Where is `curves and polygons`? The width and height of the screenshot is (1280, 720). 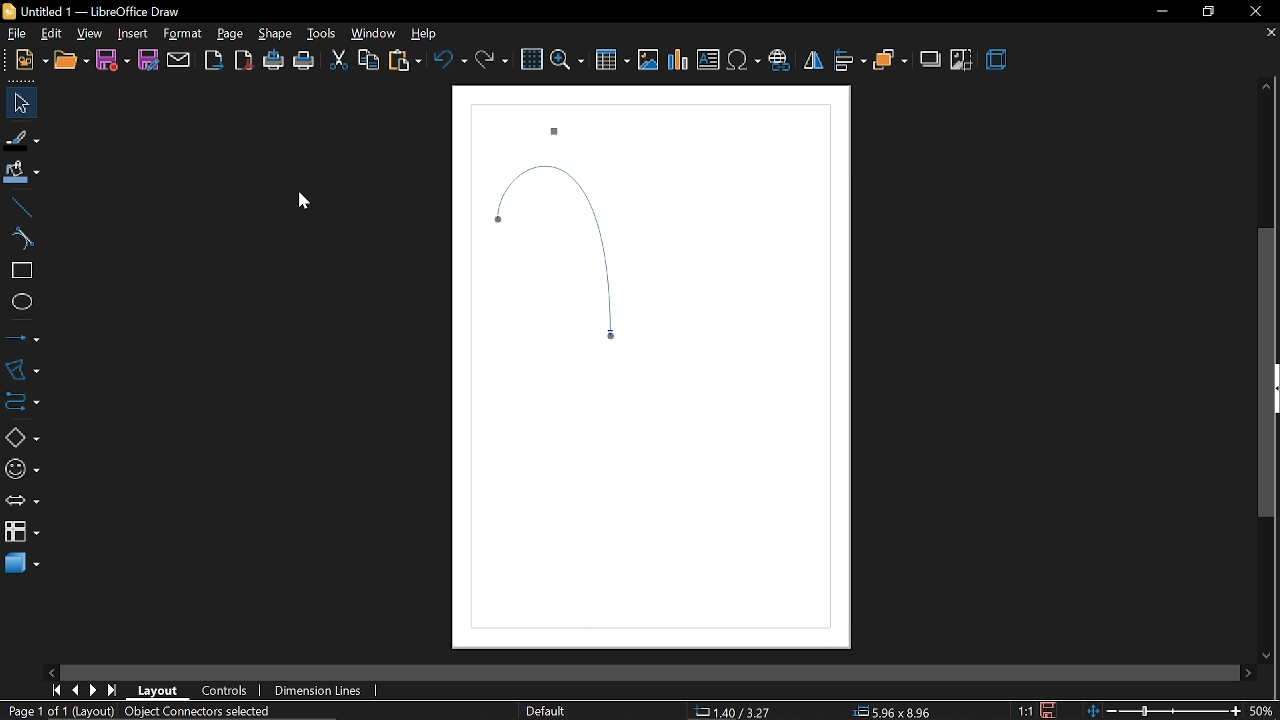
curves and polygons is located at coordinates (20, 369).